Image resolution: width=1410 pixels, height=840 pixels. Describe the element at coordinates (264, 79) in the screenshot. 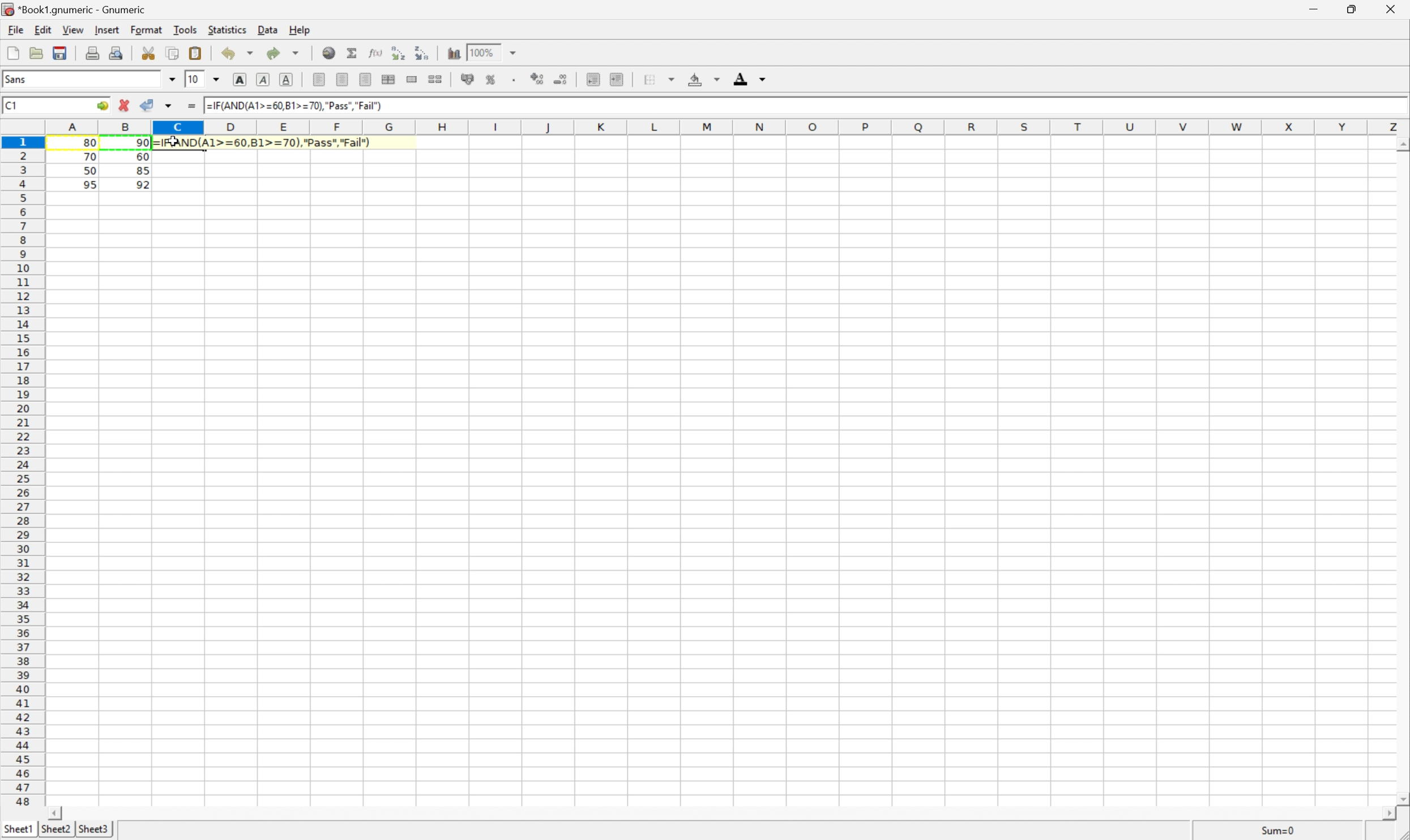

I see `Italic` at that location.